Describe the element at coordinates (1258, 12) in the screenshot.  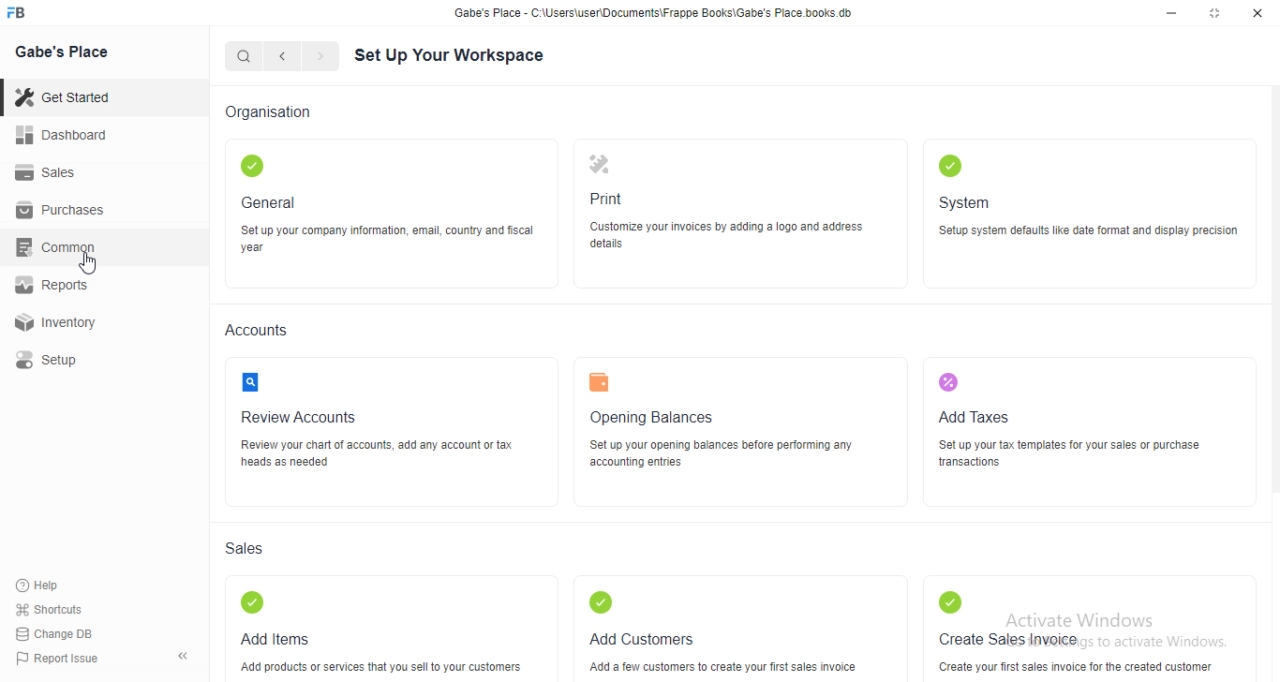
I see `close` at that location.